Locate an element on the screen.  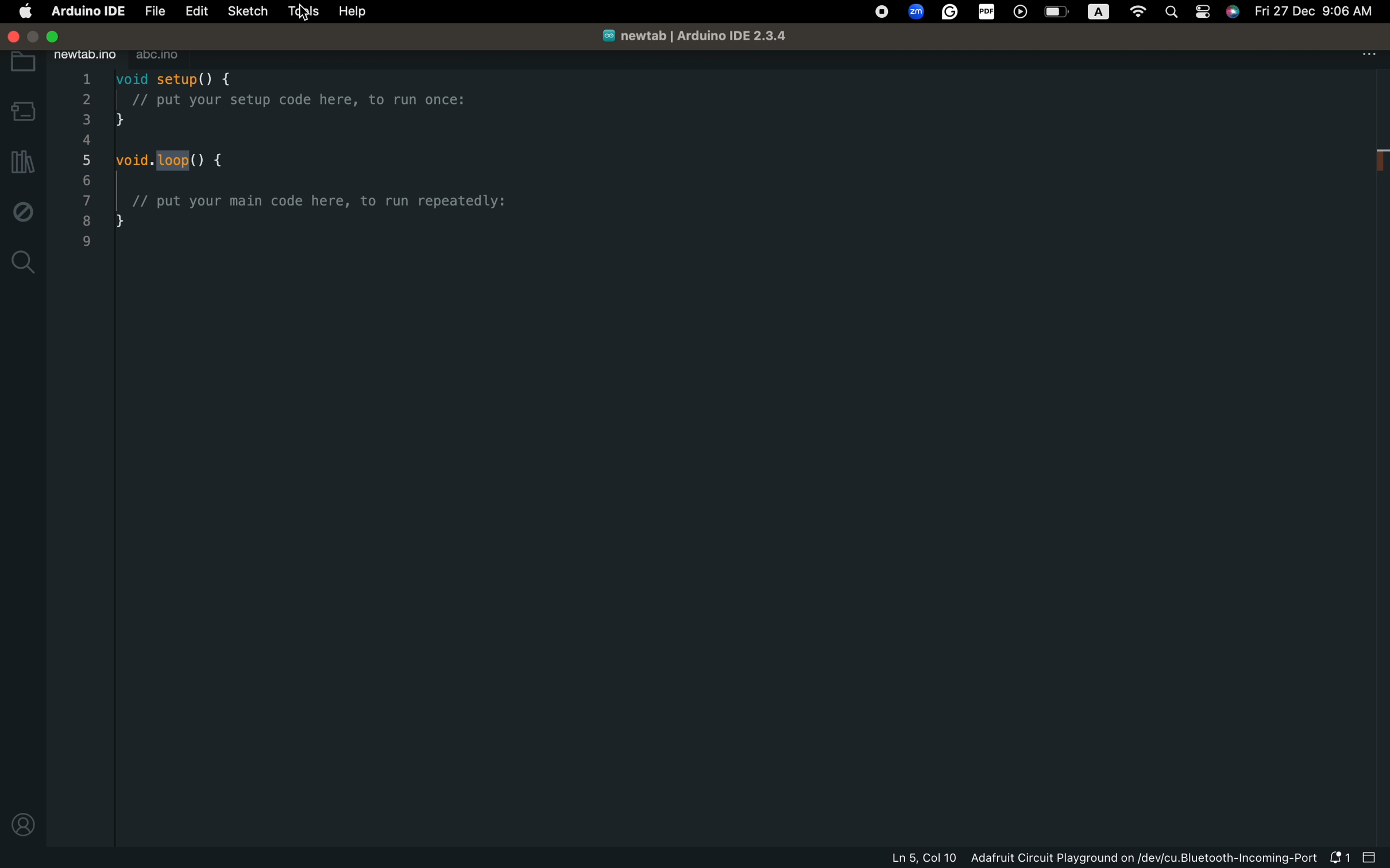
main setting is located at coordinates (22, 10).